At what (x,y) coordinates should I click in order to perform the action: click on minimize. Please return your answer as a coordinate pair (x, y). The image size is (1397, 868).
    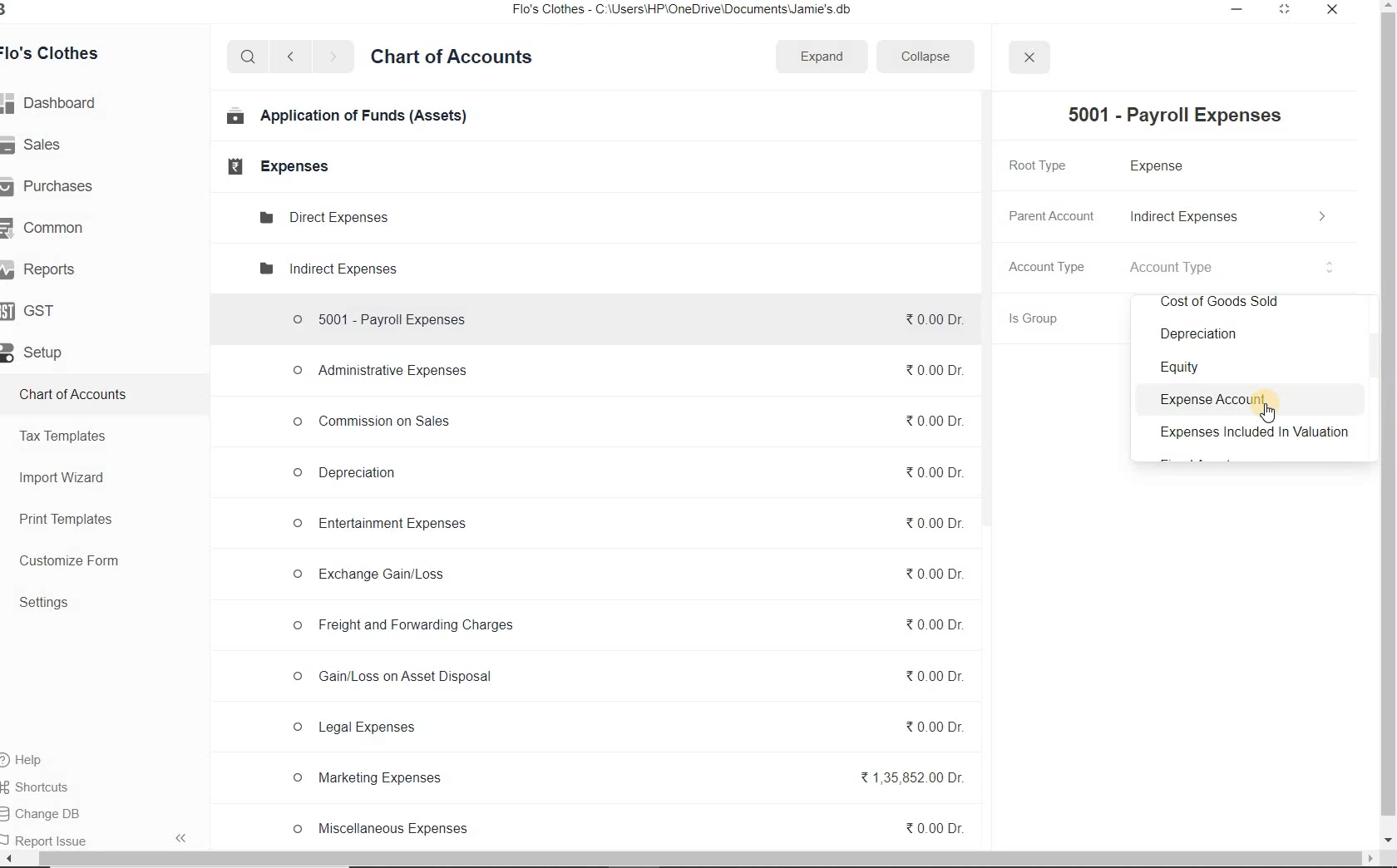
    Looking at the image, I should click on (1237, 11).